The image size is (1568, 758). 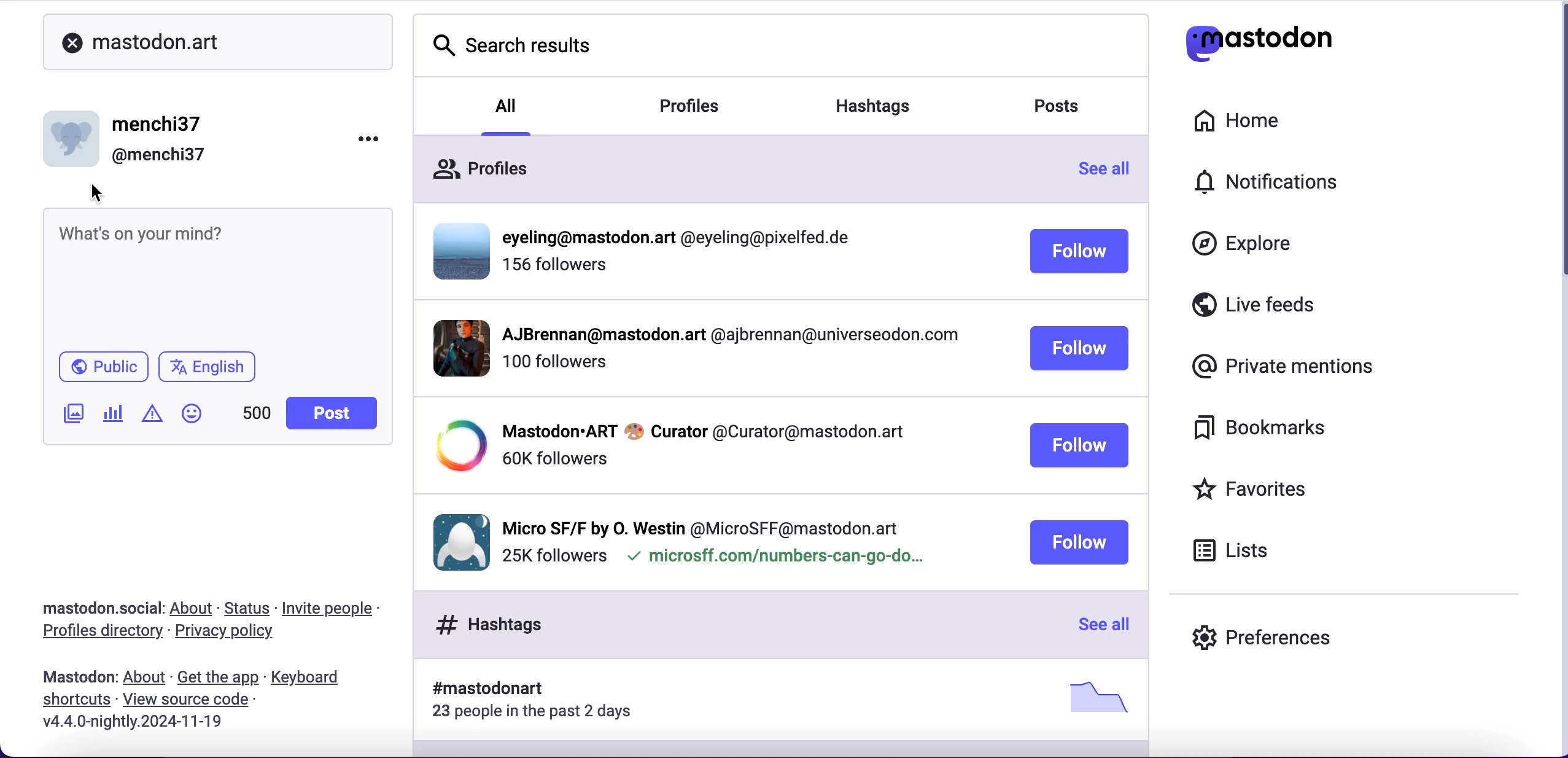 I want to click on profile, so click(x=682, y=546).